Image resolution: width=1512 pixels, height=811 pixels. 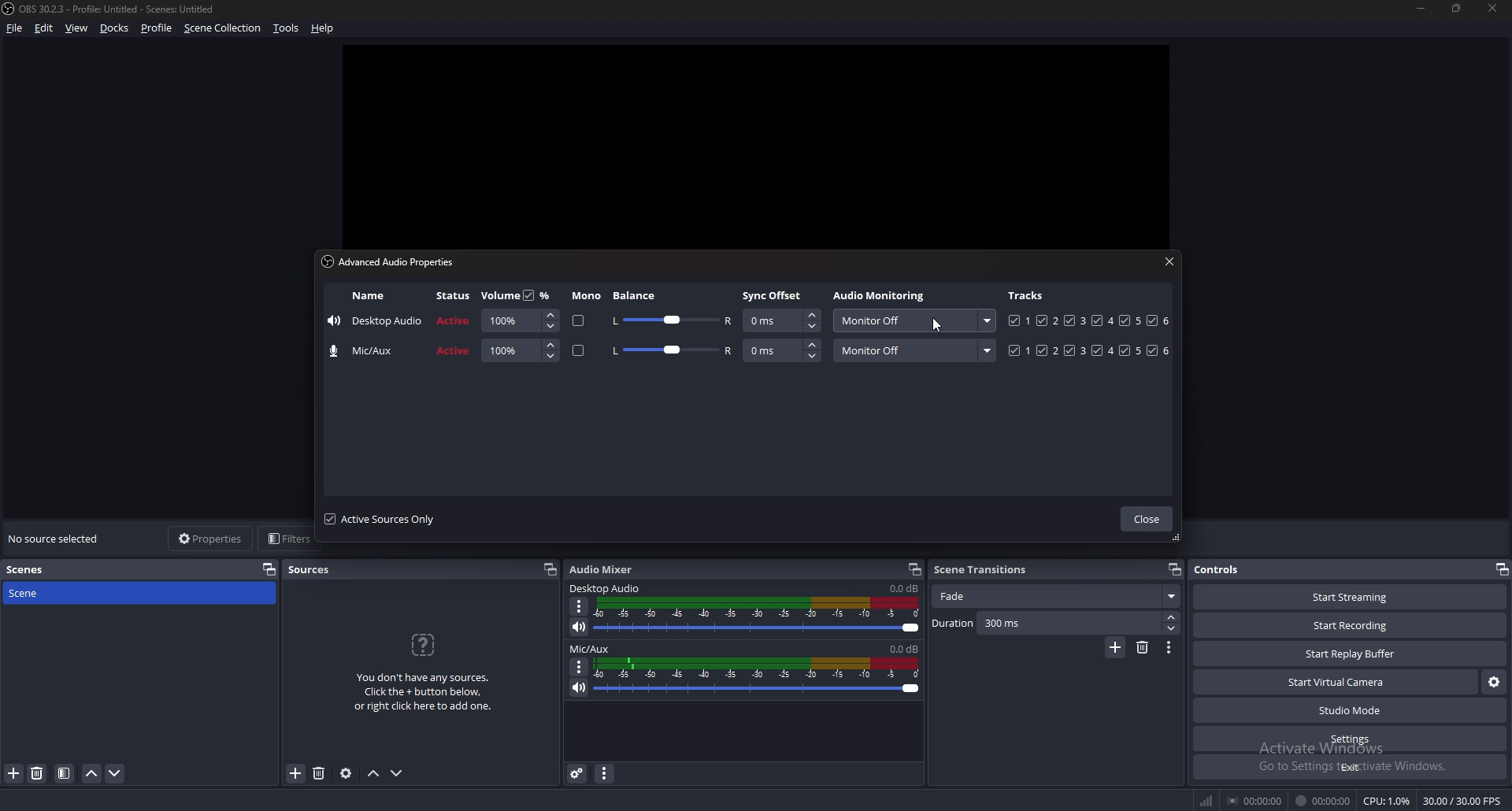 What do you see at coordinates (579, 320) in the screenshot?
I see `mono` at bounding box center [579, 320].